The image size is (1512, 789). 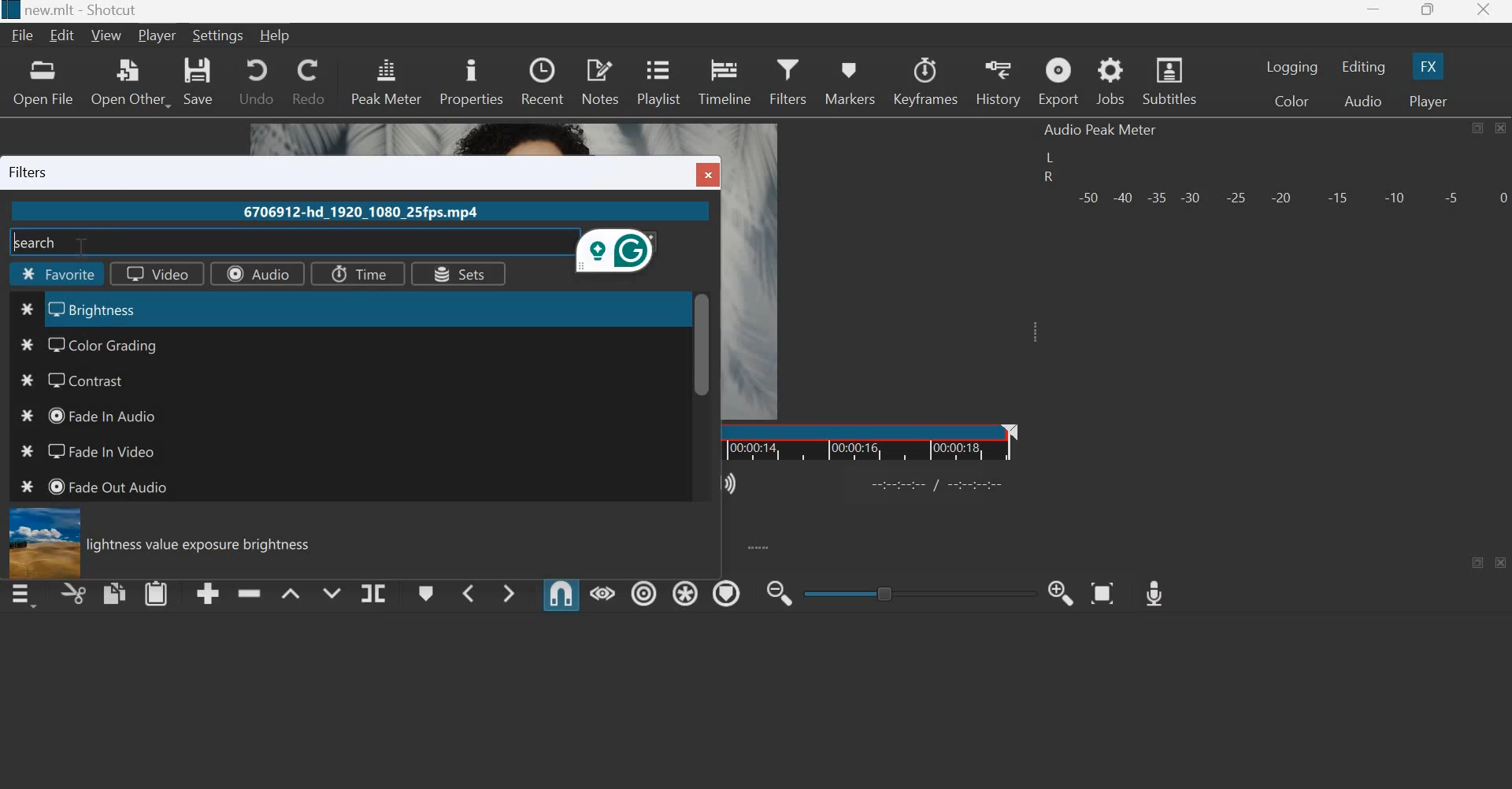 What do you see at coordinates (1480, 562) in the screenshot?
I see `maximize` at bounding box center [1480, 562].